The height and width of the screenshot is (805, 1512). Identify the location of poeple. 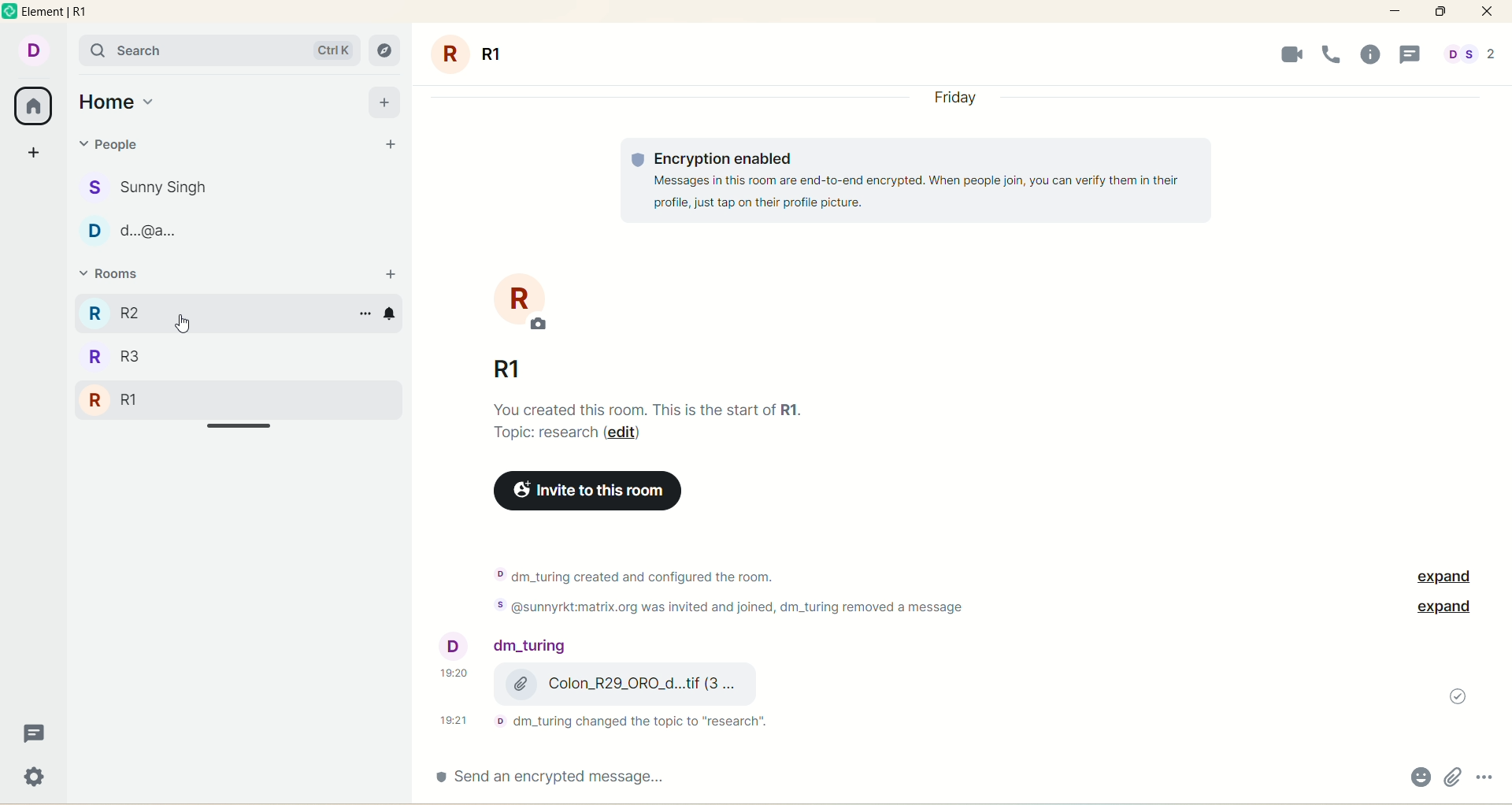
(146, 234).